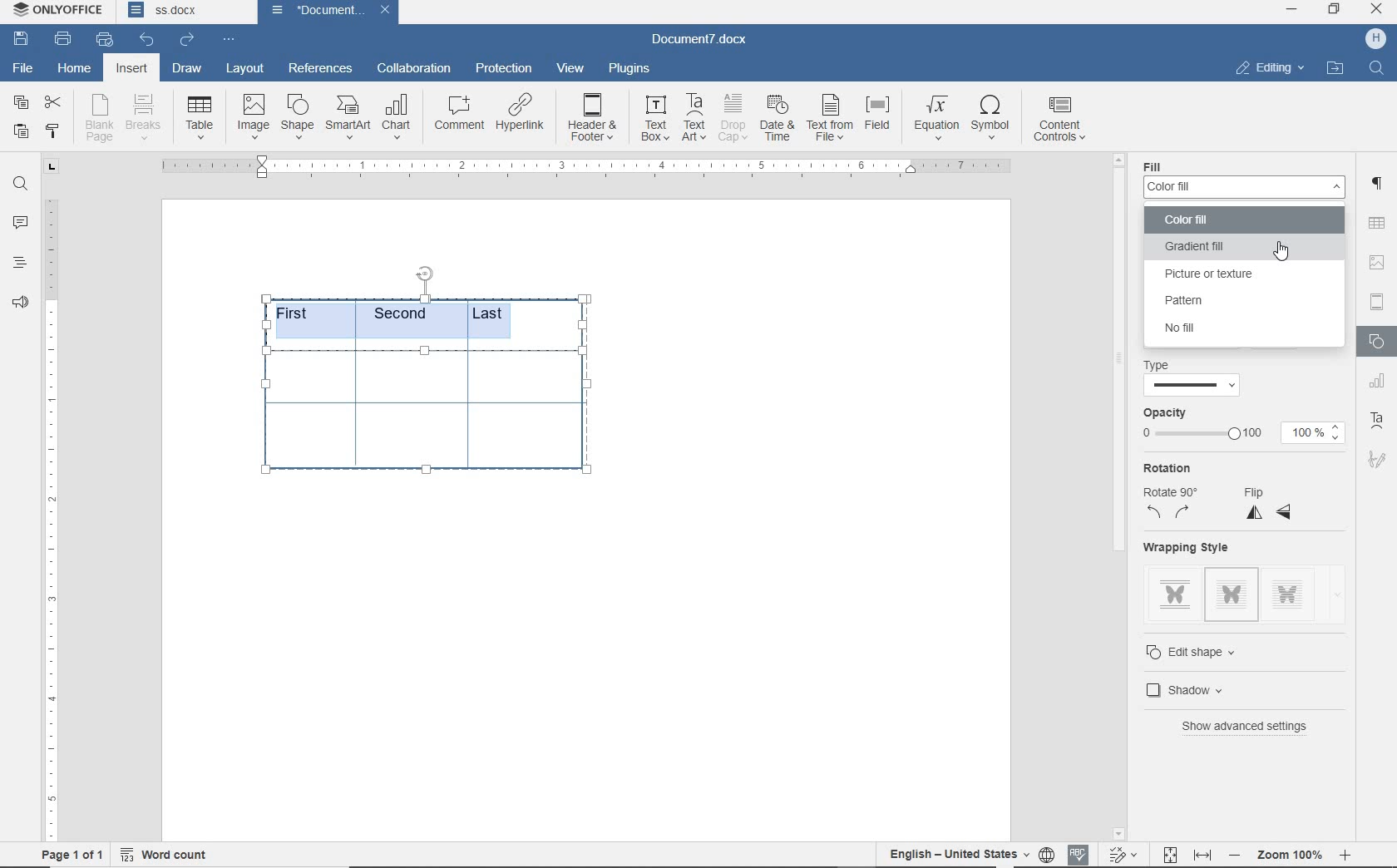  I want to click on HEADER & FOOTER, so click(1376, 303).